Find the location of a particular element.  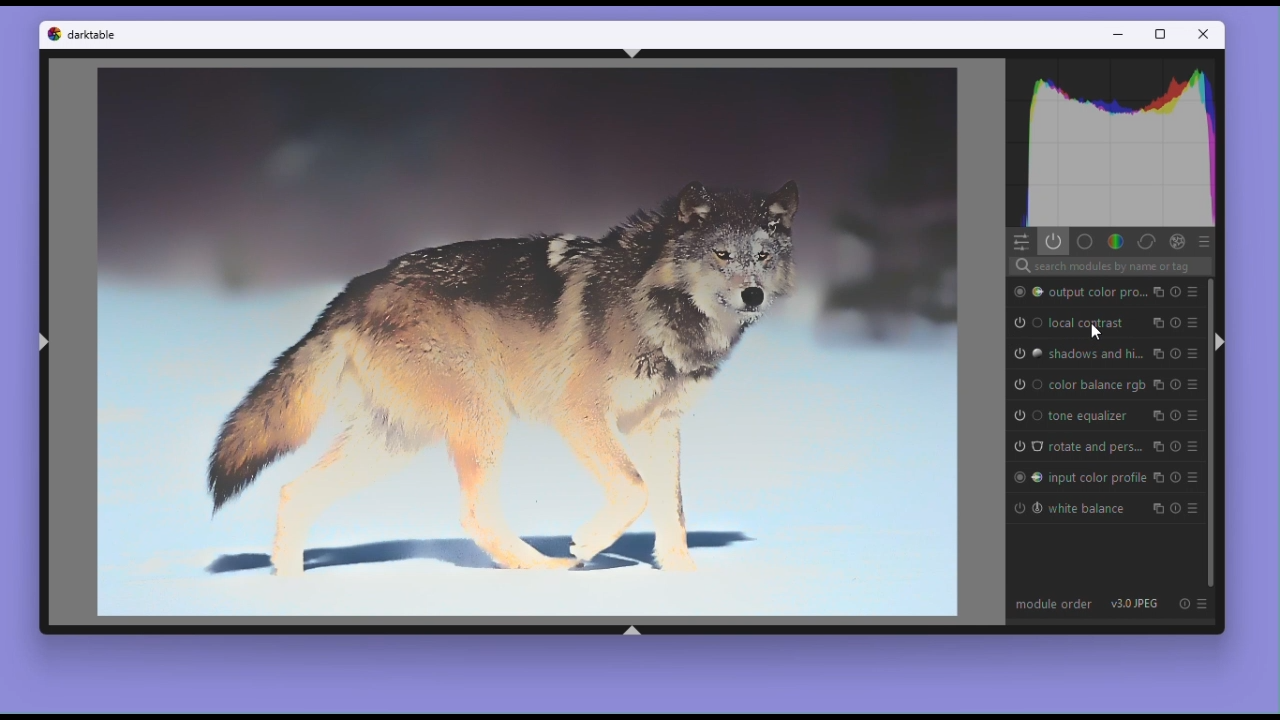

shift+ctrl+t is located at coordinates (635, 53).